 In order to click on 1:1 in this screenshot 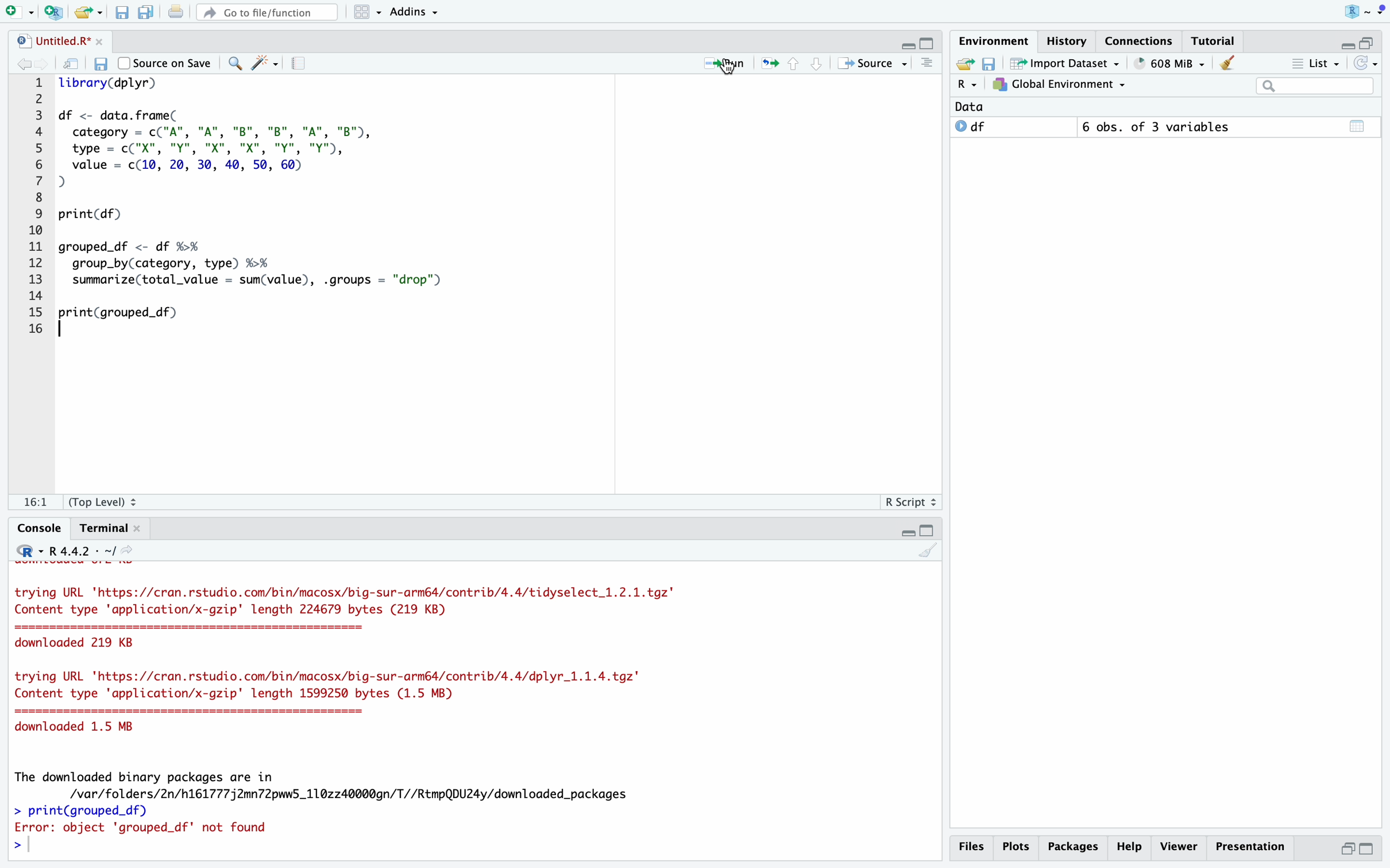, I will do `click(34, 502)`.